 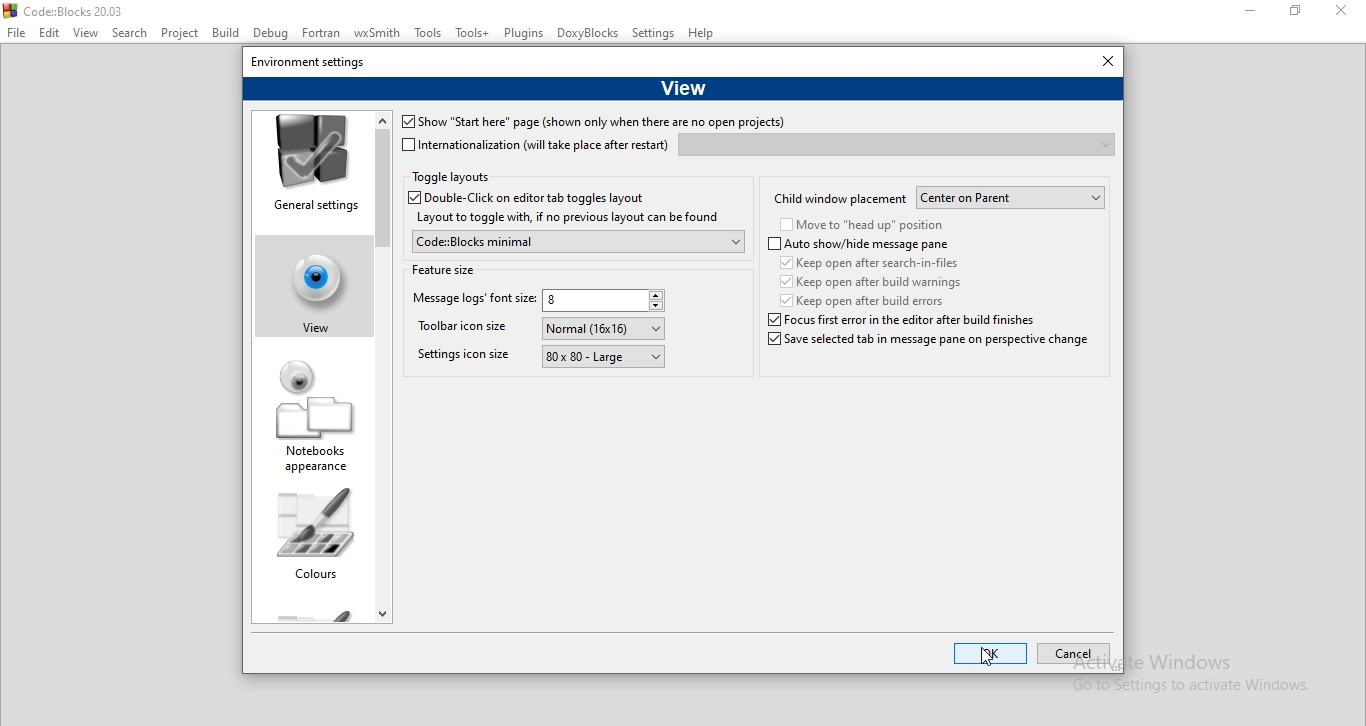 What do you see at coordinates (1251, 12) in the screenshot?
I see `minimise` at bounding box center [1251, 12].